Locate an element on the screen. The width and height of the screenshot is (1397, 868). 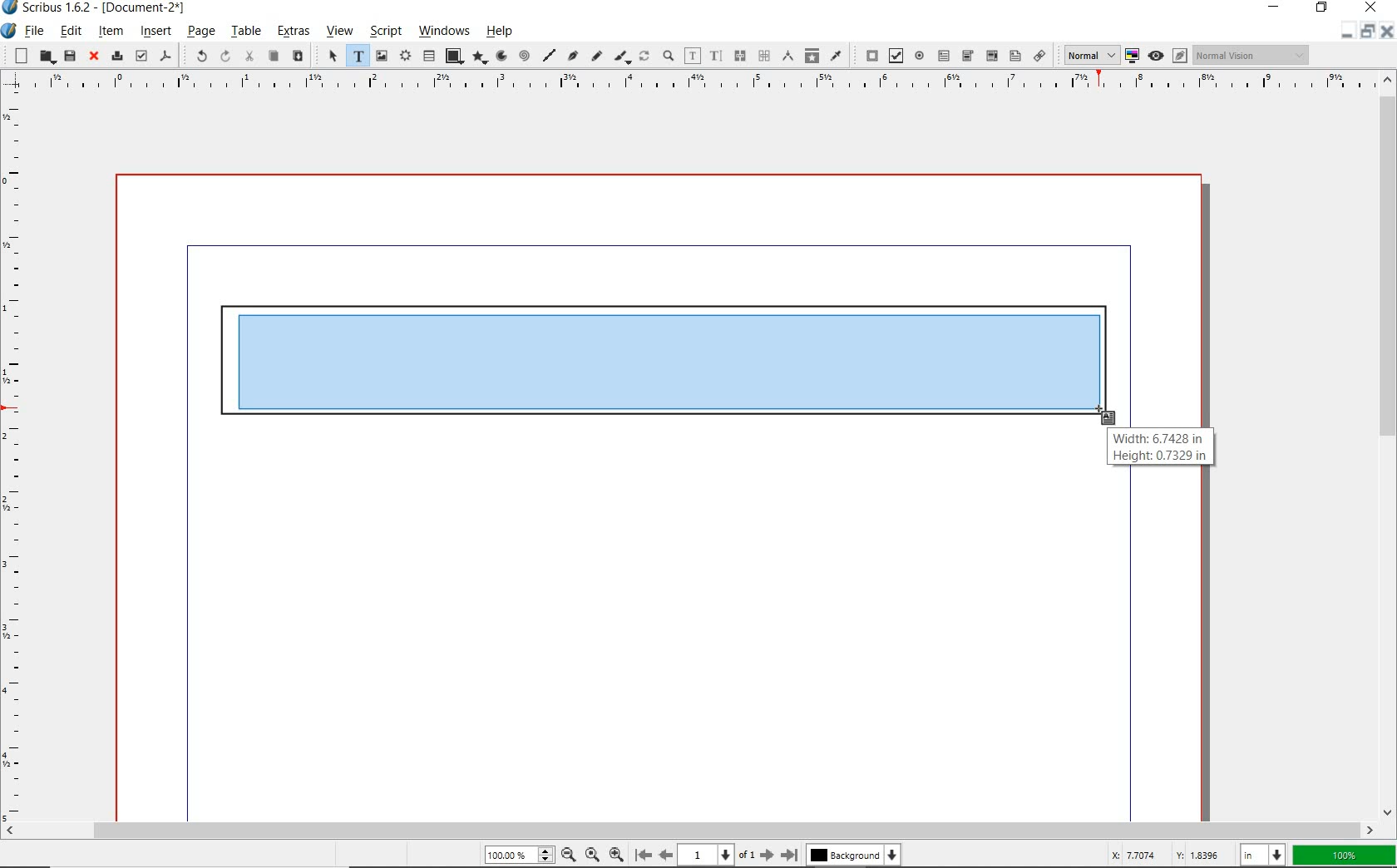
pdf check box is located at coordinates (893, 55).